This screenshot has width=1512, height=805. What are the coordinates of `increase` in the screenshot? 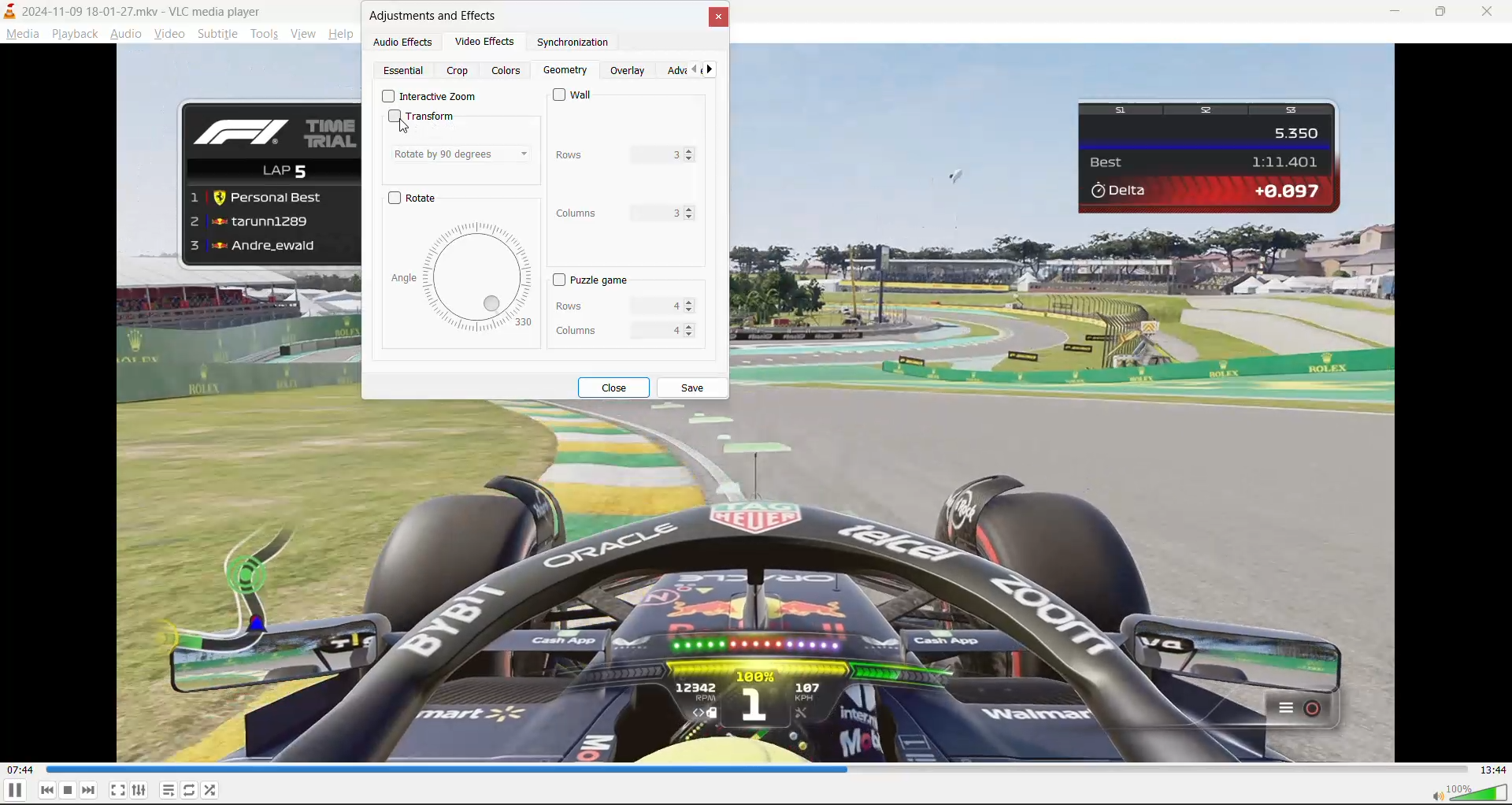 It's located at (691, 327).